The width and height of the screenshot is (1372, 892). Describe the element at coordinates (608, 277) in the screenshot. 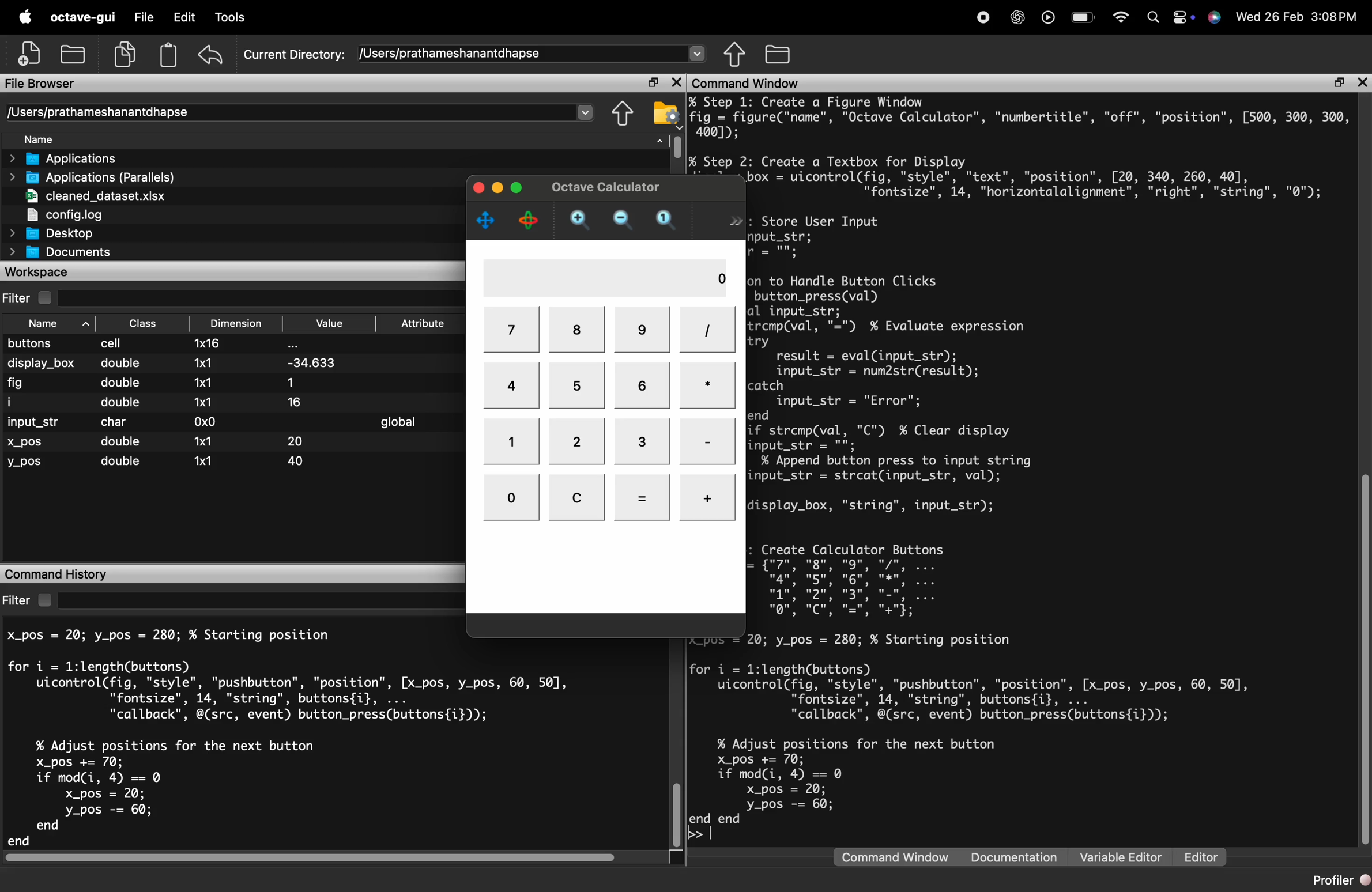

I see `0` at that location.